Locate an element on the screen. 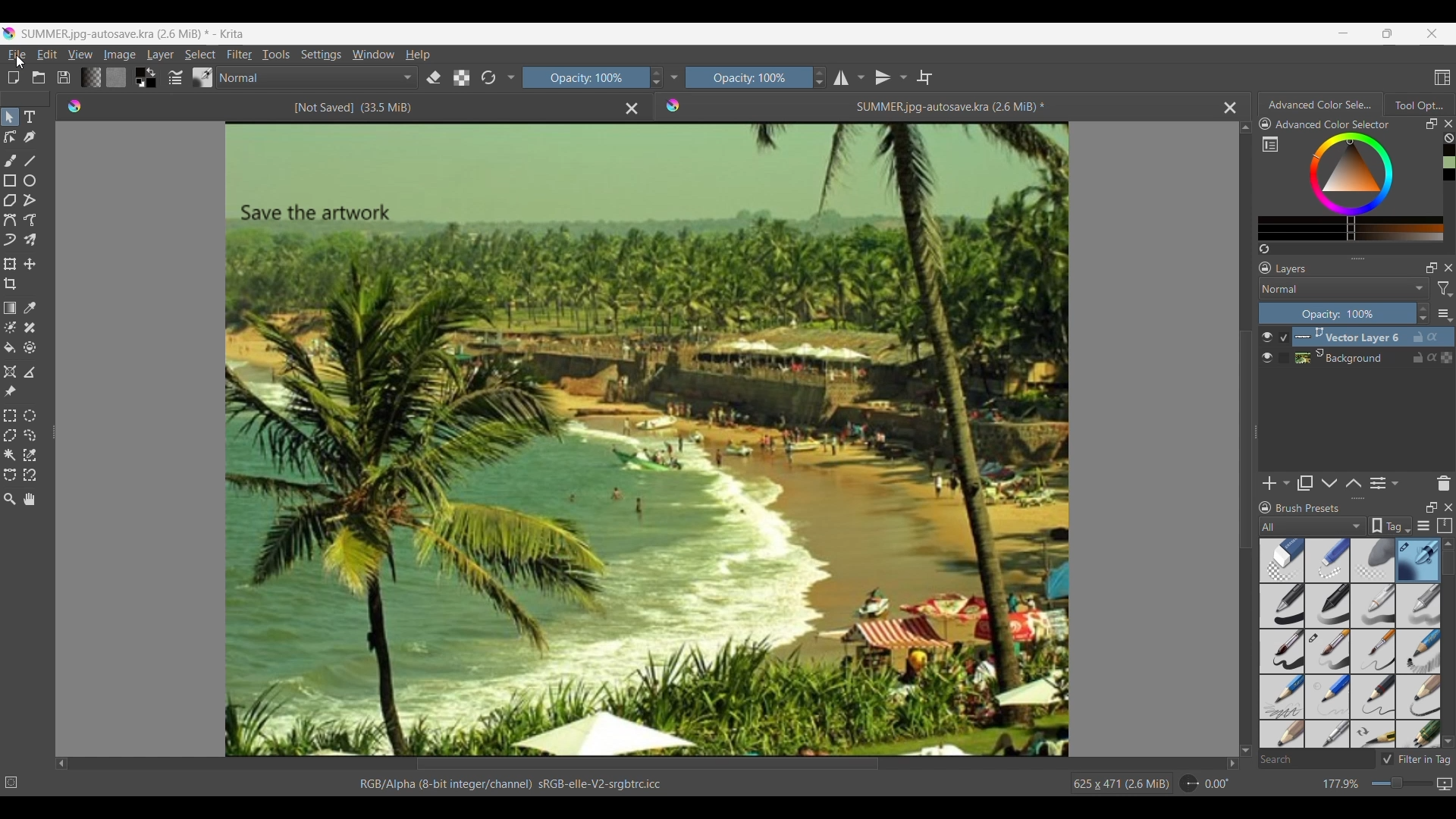 The height and width of the screenshot is (819, 1456). Rectangle tool is located at coordinates (10, 180).